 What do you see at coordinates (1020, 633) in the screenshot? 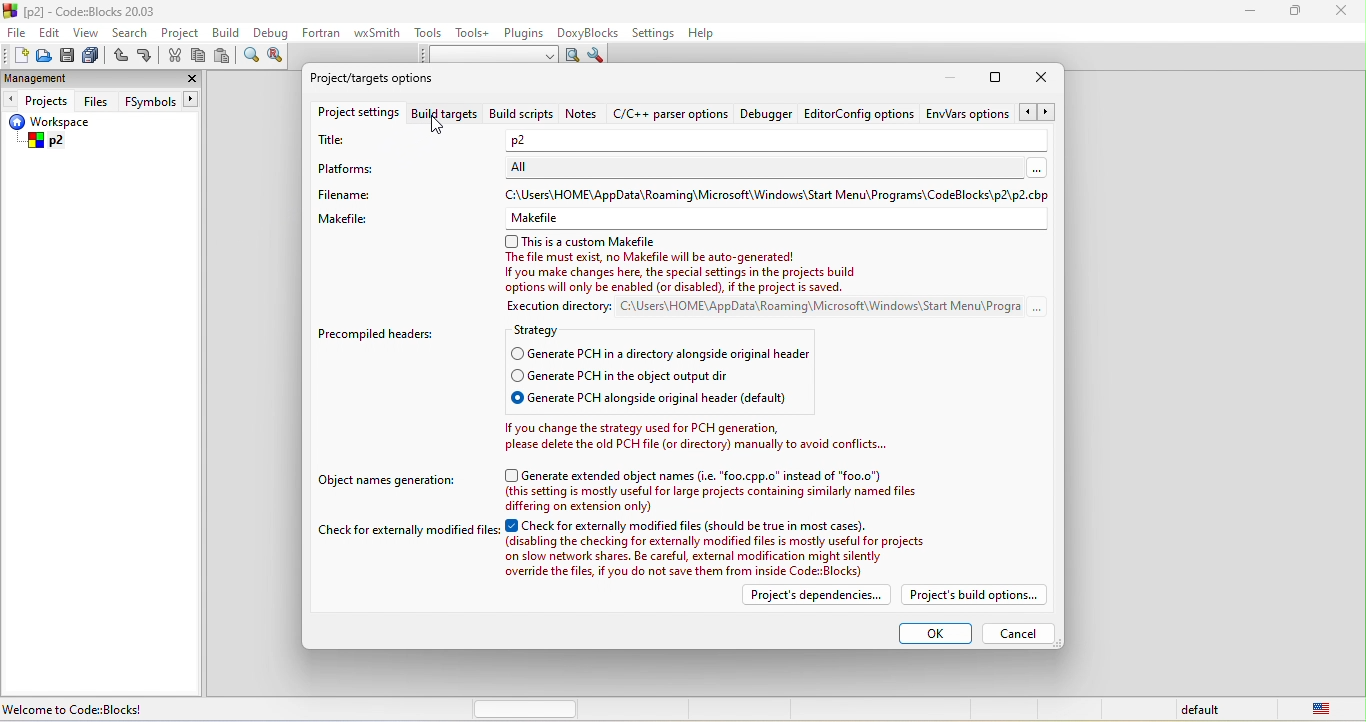
I see `cancel` at bounding box center [1020, 633].